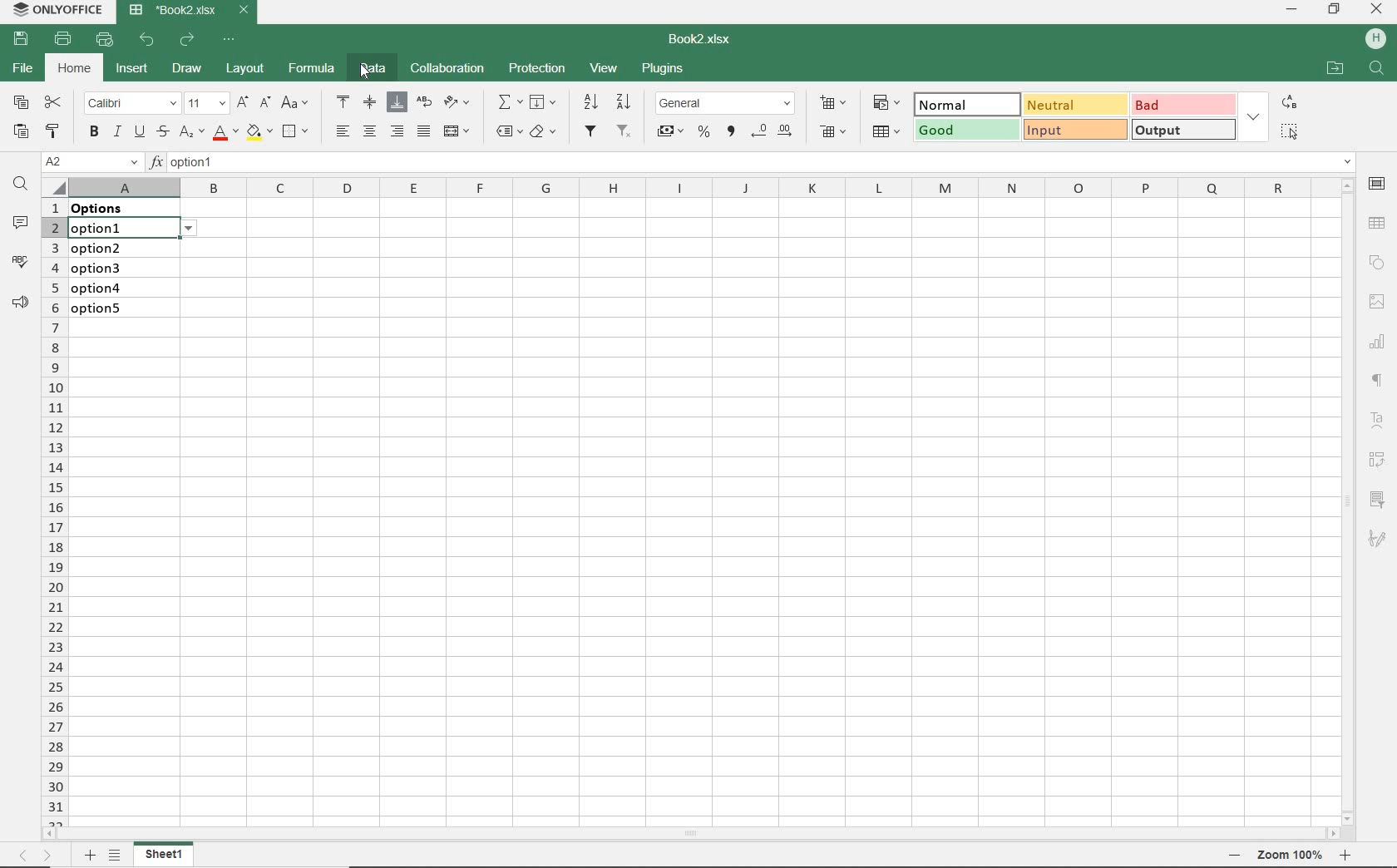 Image resolution: width=1397 pixels, height=868 pixels. What do you see at coordinates (74, 72) in the screenshot?
I see `HOME` at bounding box center [74, 72].